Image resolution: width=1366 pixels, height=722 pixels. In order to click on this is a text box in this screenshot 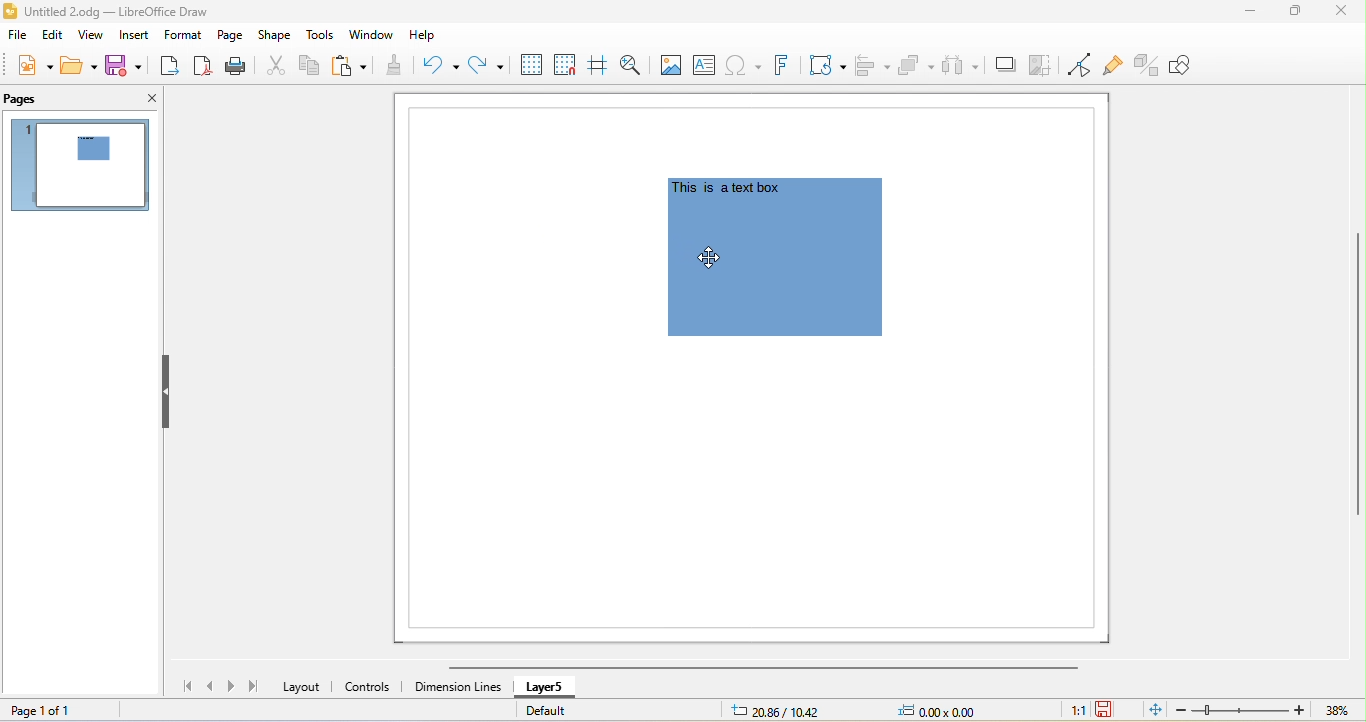, I will do `click(728, 189)`.